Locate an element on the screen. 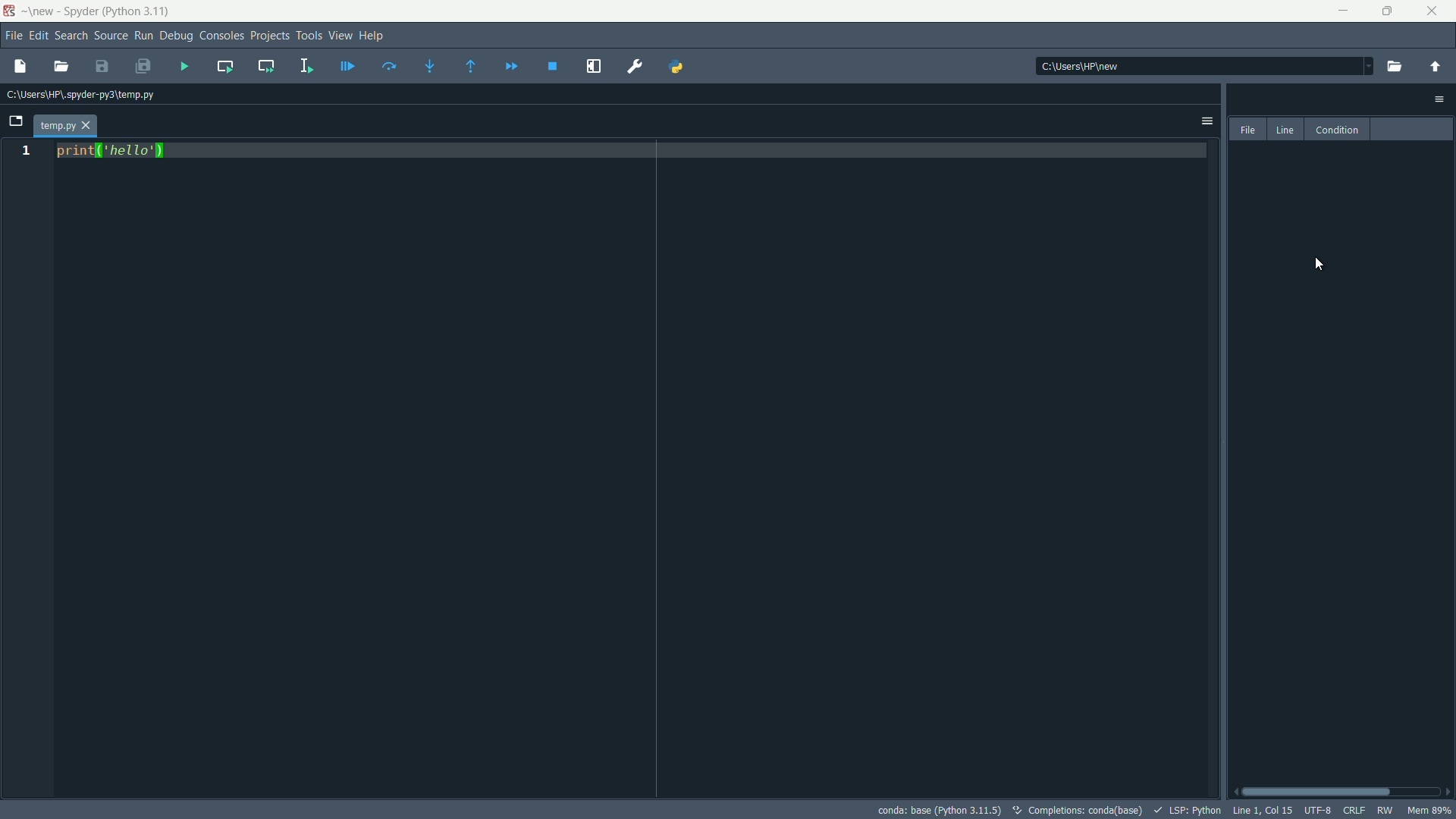  file encoding is located at coordinates (1319, 811).